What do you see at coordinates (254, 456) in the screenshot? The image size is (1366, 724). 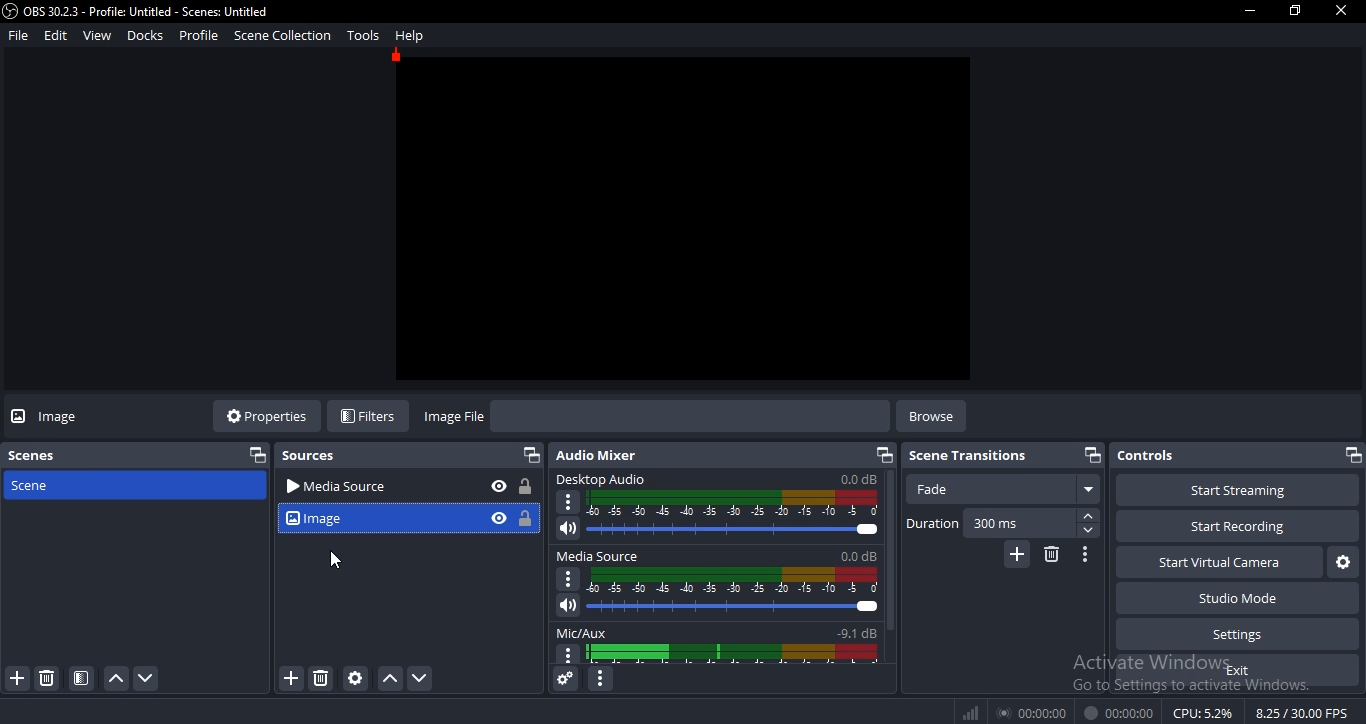 I see `restore` at bounding box center [254, 456].